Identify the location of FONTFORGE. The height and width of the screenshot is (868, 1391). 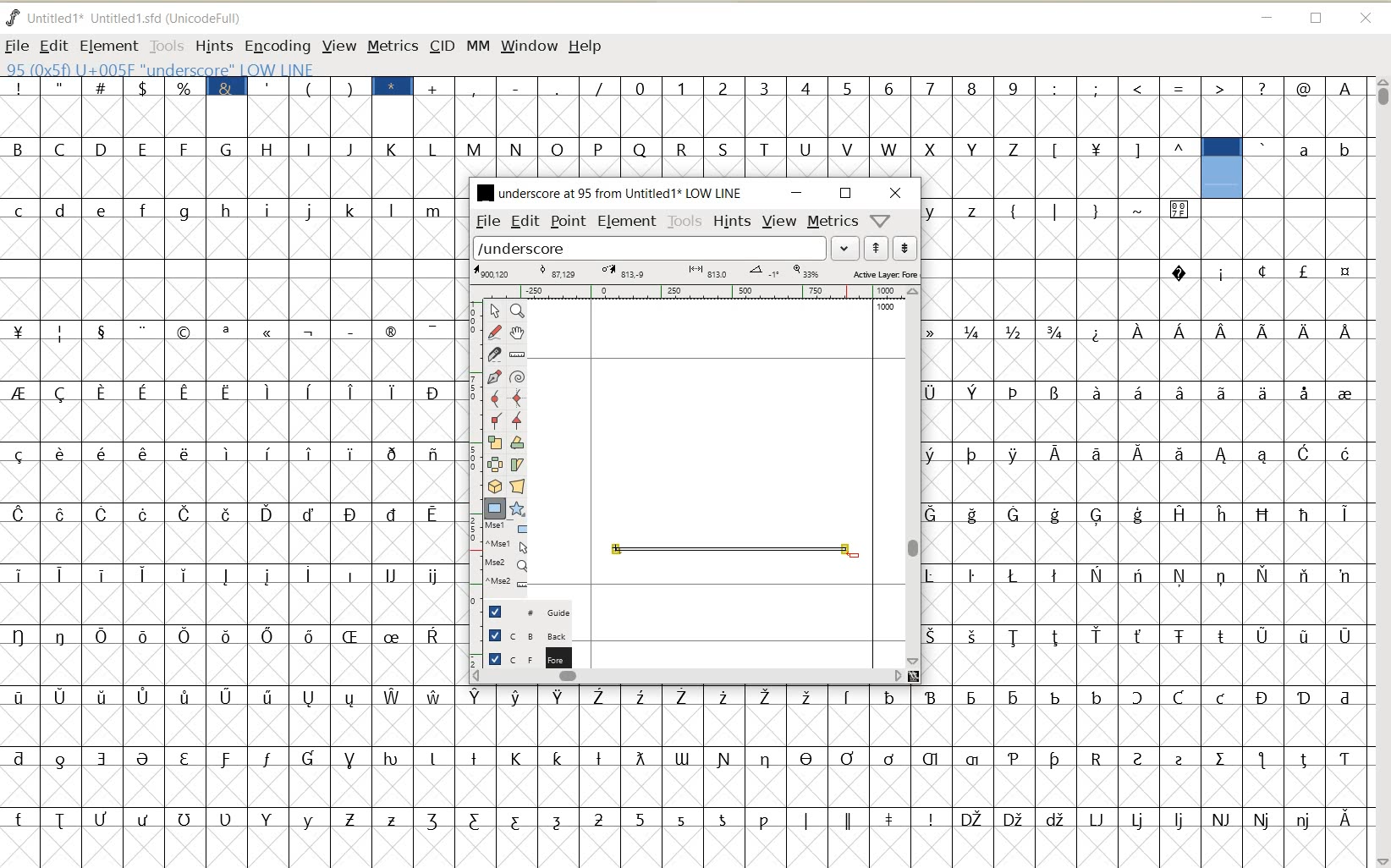
(13, 17).